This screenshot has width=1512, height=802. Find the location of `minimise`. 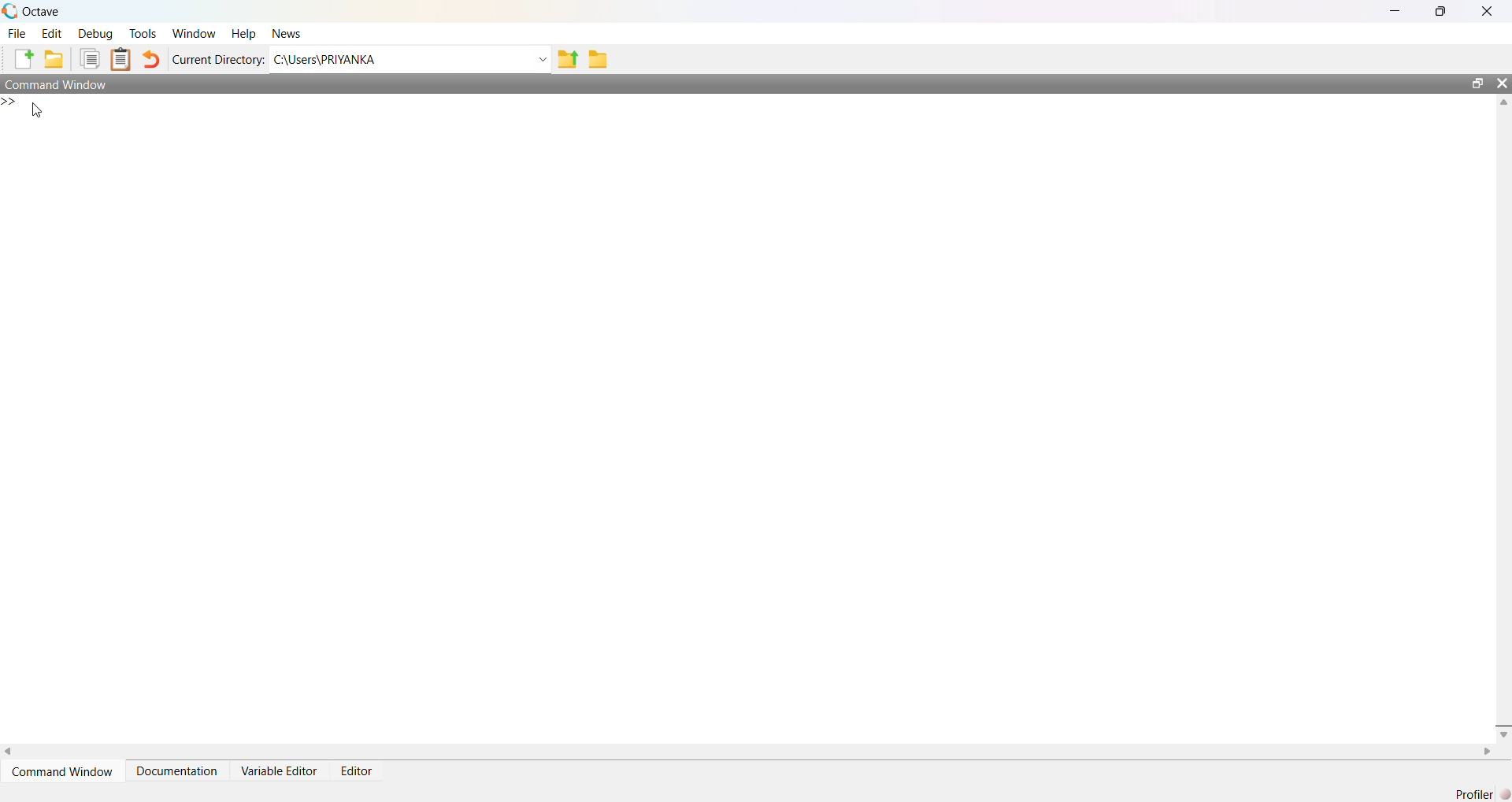

minimise is located at coordinates (1397, 9).